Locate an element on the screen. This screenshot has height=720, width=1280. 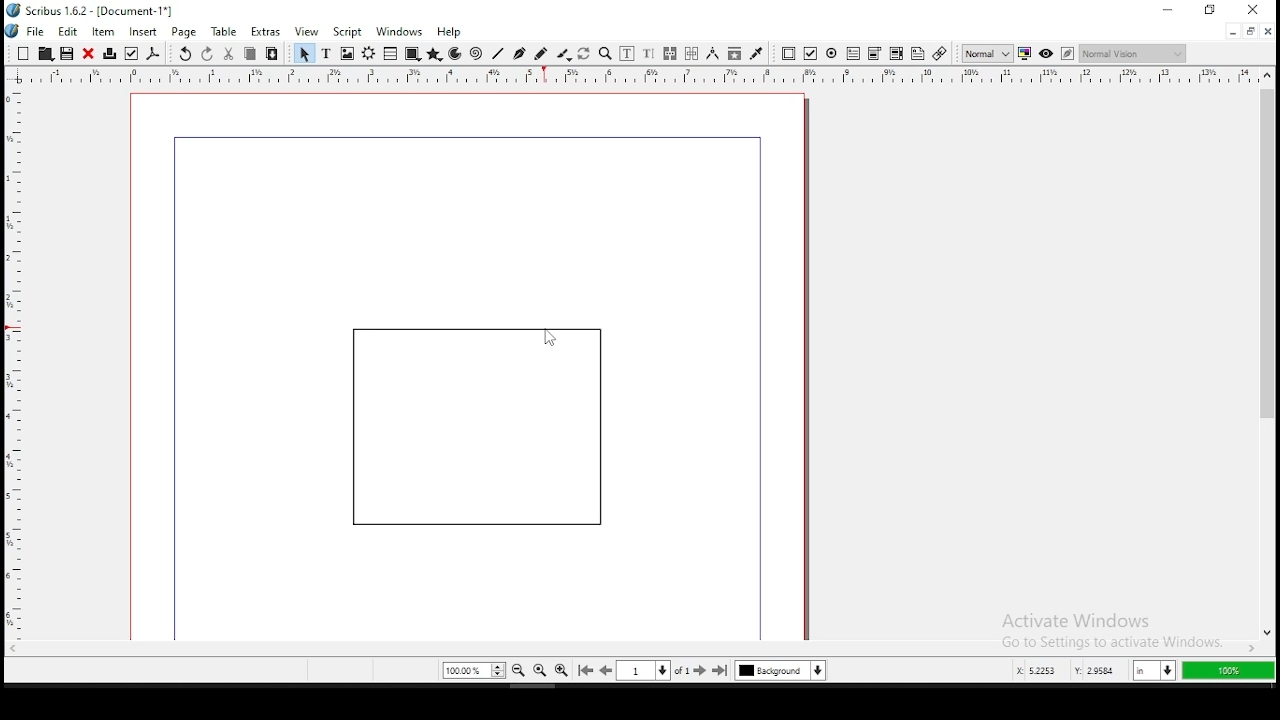
rotate item is located at coordinates (584, 54).